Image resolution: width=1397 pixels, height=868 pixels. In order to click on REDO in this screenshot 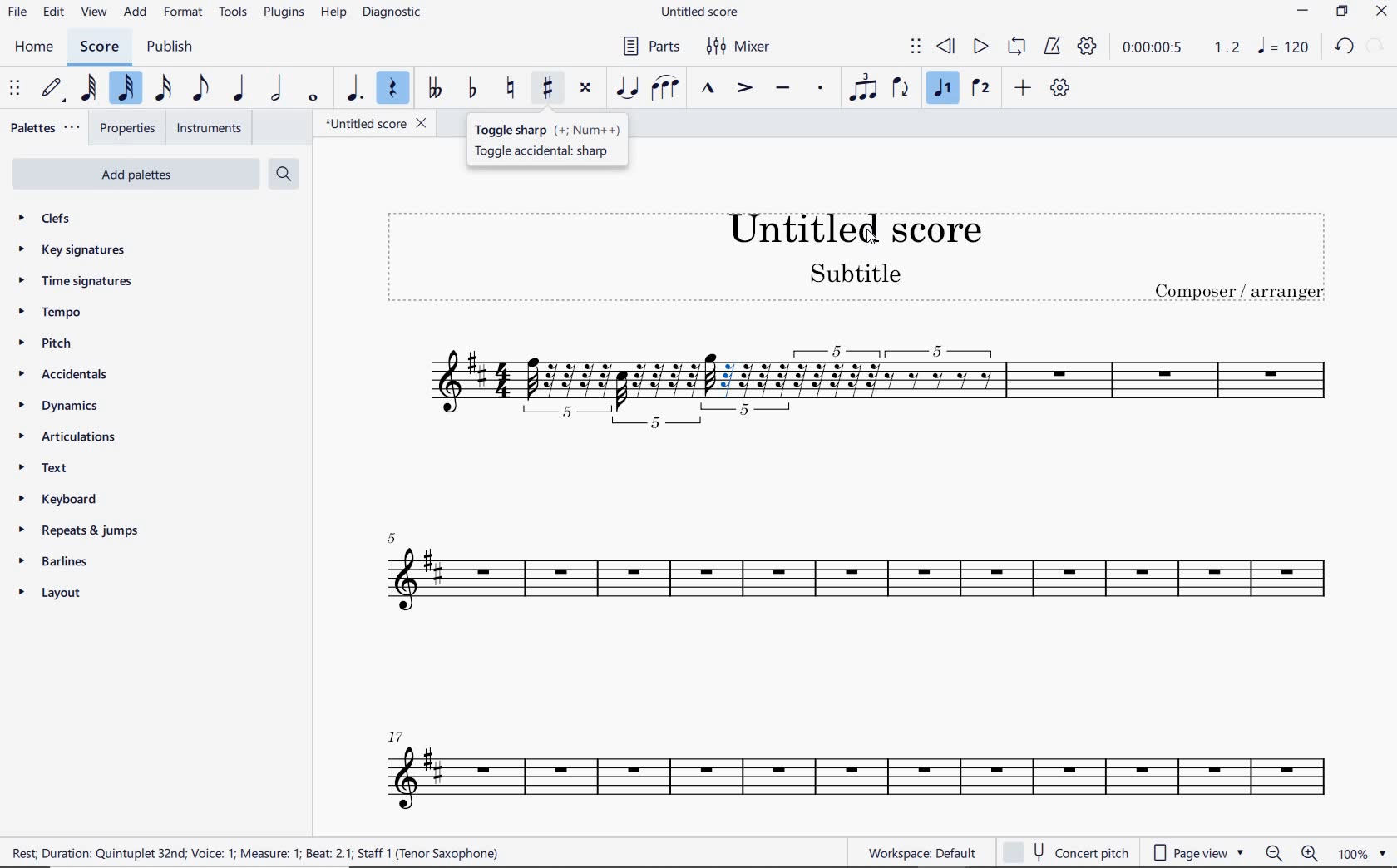, I will do `click(1375, 46)`.